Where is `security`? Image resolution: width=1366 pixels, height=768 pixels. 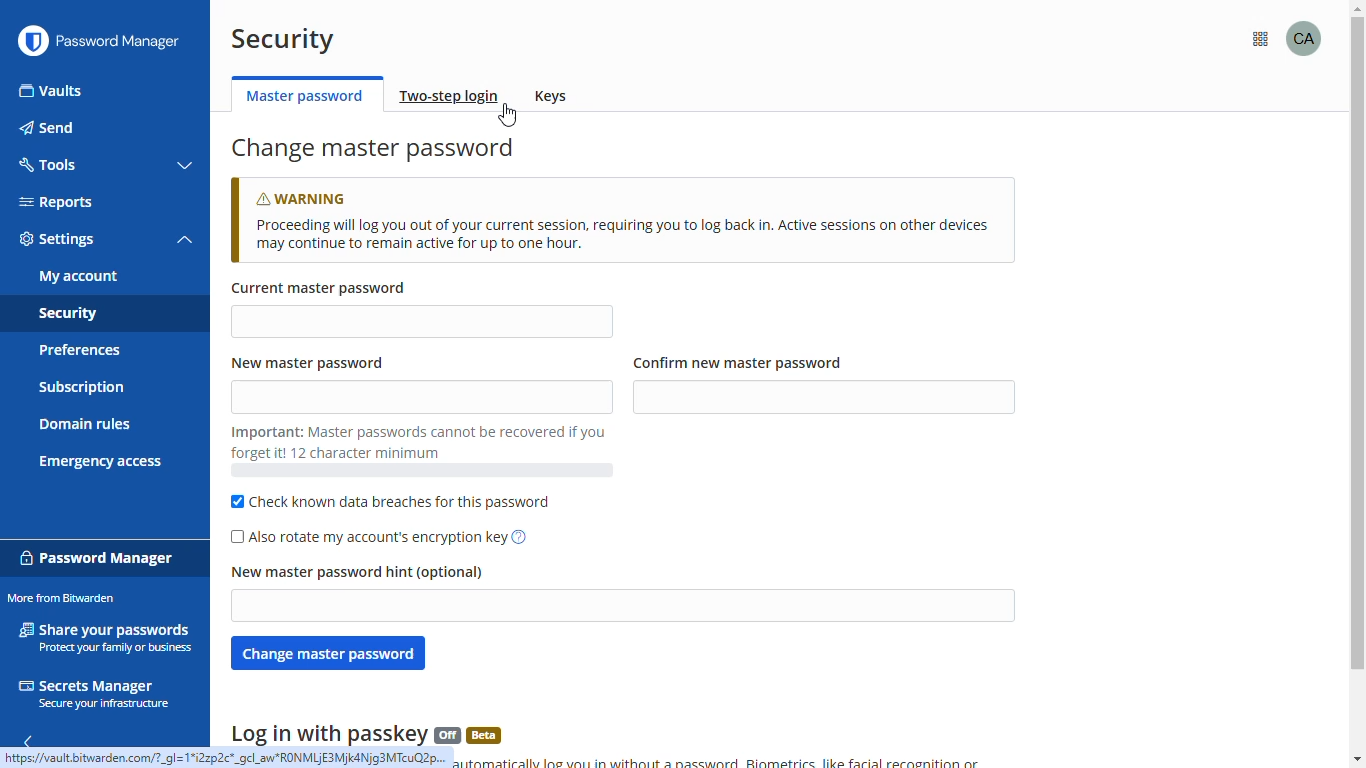
security is located at coordinates (283, 39).